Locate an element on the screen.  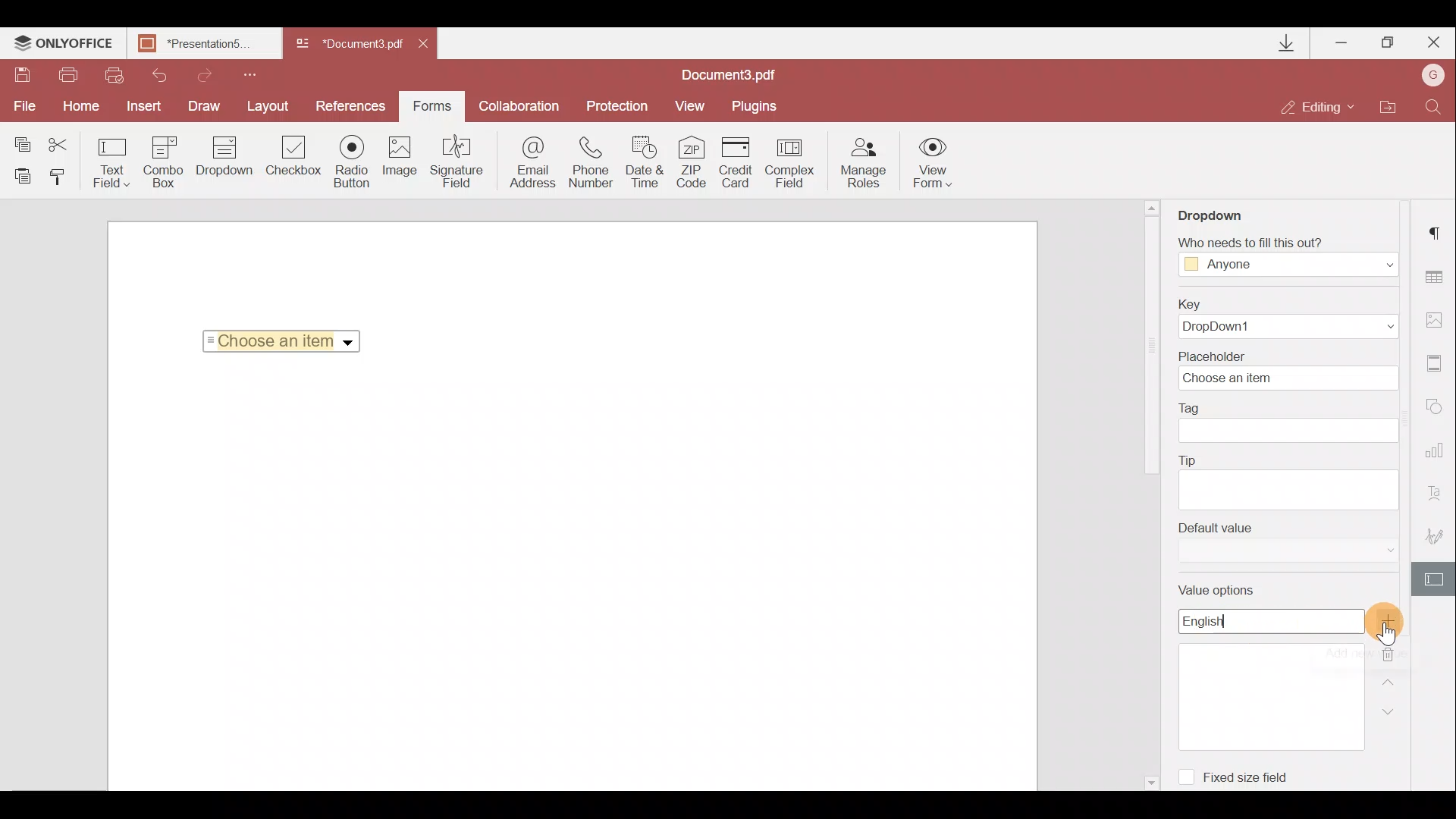
Tag is located at coordinates (1289, 422).